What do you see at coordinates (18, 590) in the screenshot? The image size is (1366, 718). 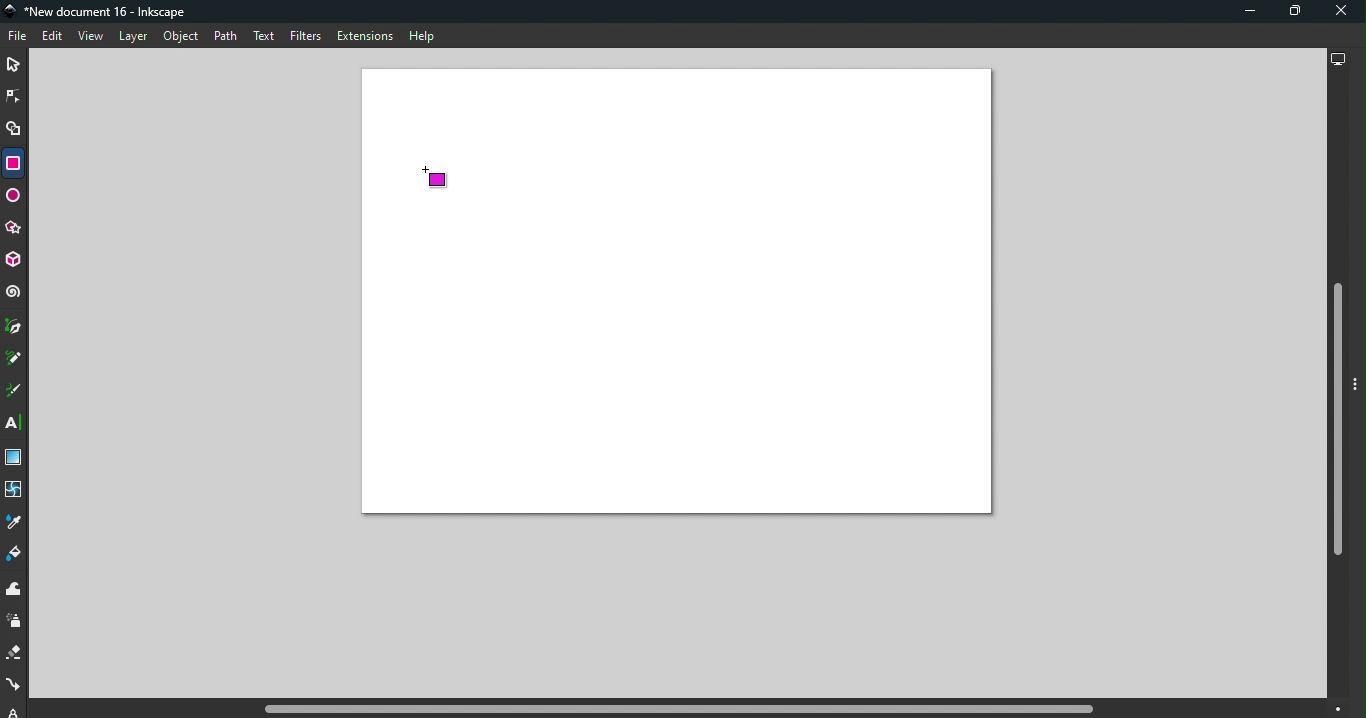 I see `Tweak tool` at bounding box center [18, 590].